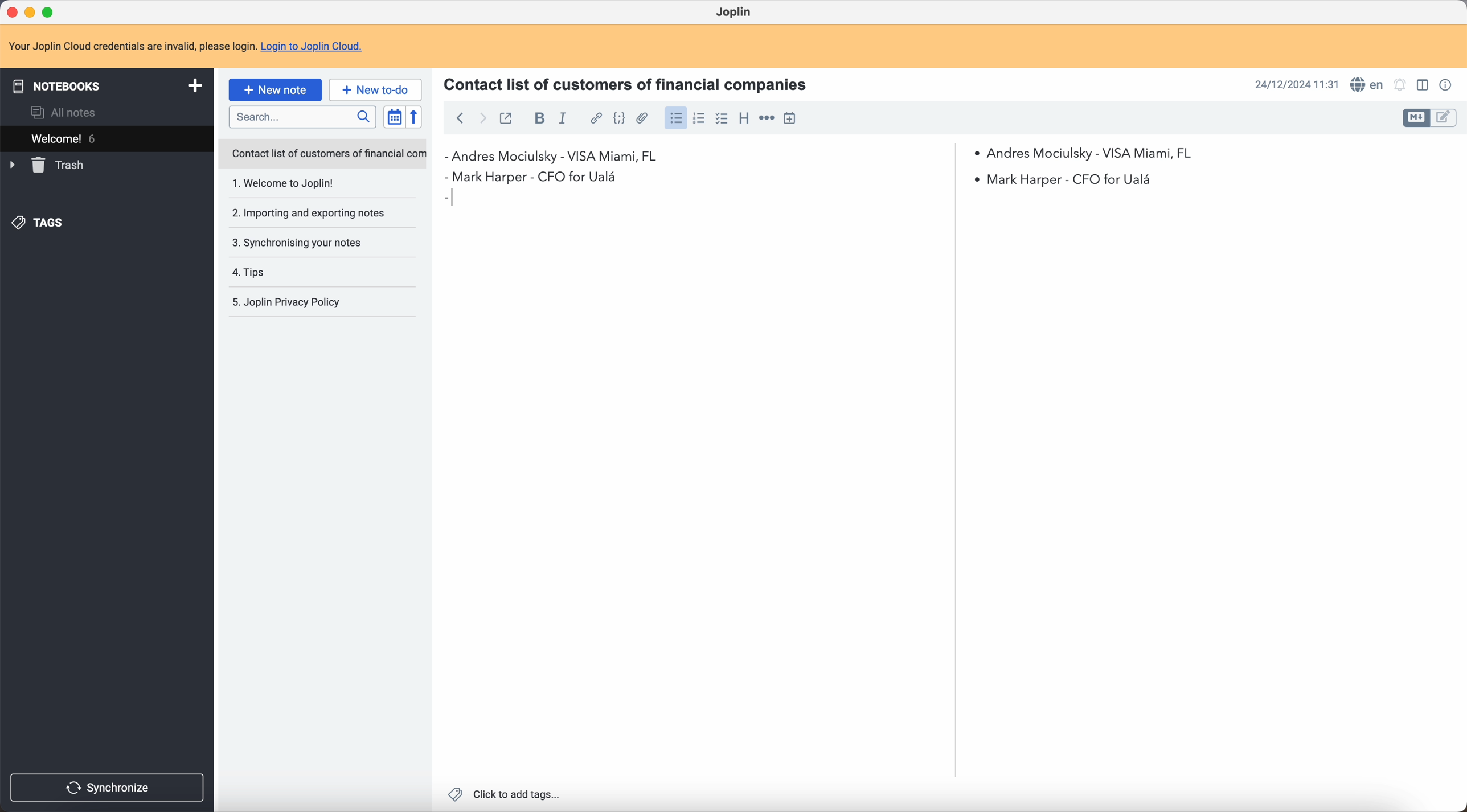 This screenshot has height=812, width=1467. I want to click on Andres Mociulsky - VISA Miami, FL, so click(1091, 151).